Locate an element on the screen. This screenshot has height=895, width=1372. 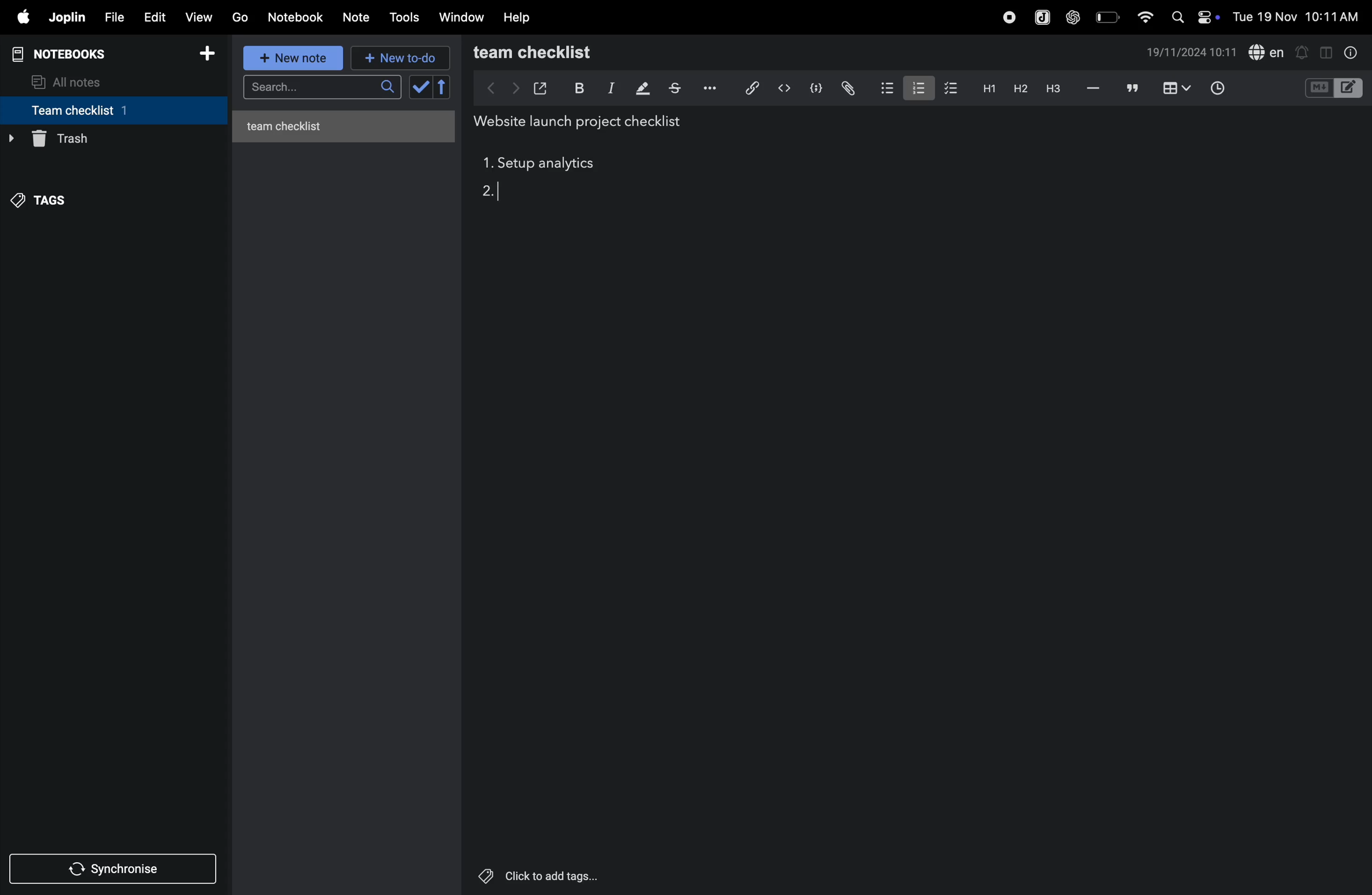
date and time is located at coordinates (1192, 54).